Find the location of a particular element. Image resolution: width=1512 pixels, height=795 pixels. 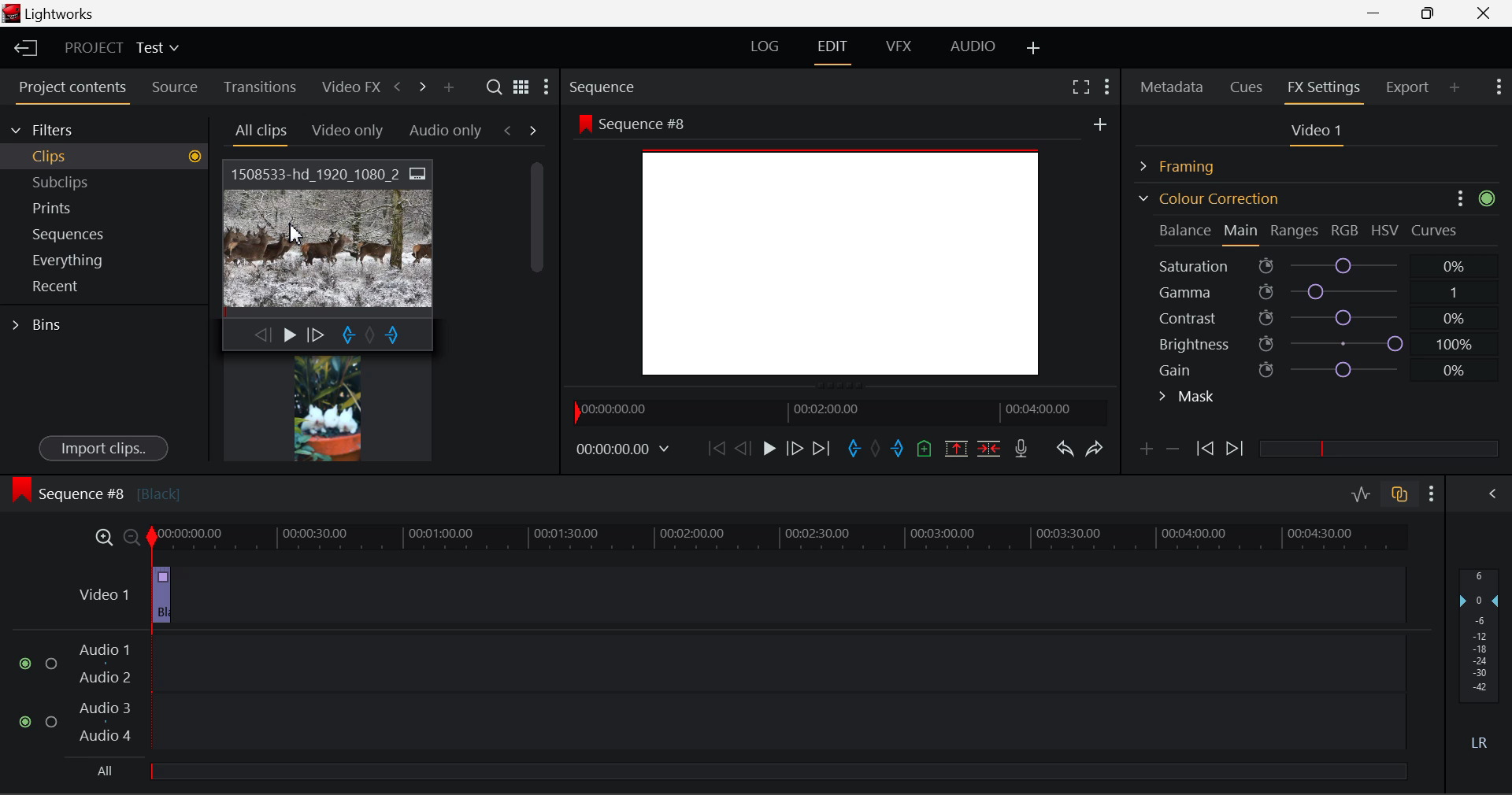

Toggle audio track sync is located at coordinates (1400, 493).